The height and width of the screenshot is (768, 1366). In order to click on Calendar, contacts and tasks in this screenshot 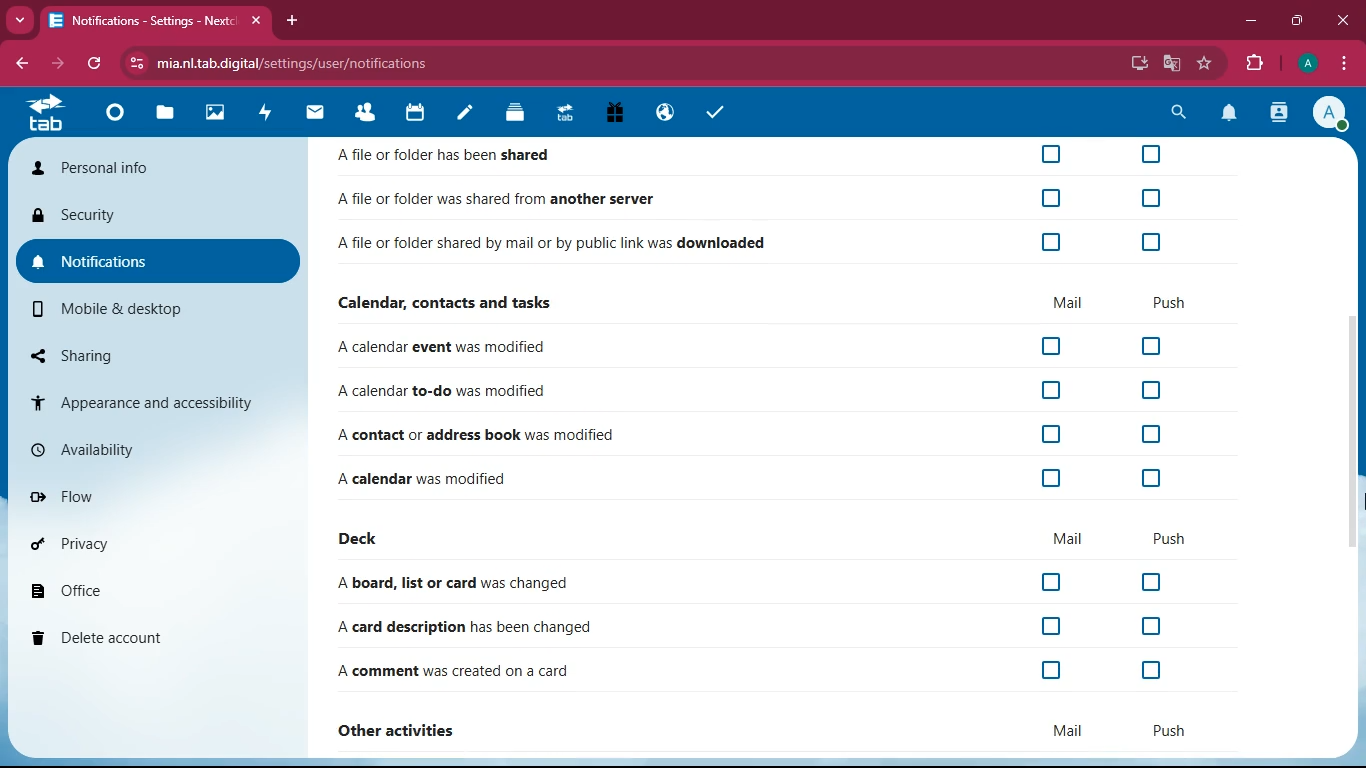, I will do `click(457, 304)`.